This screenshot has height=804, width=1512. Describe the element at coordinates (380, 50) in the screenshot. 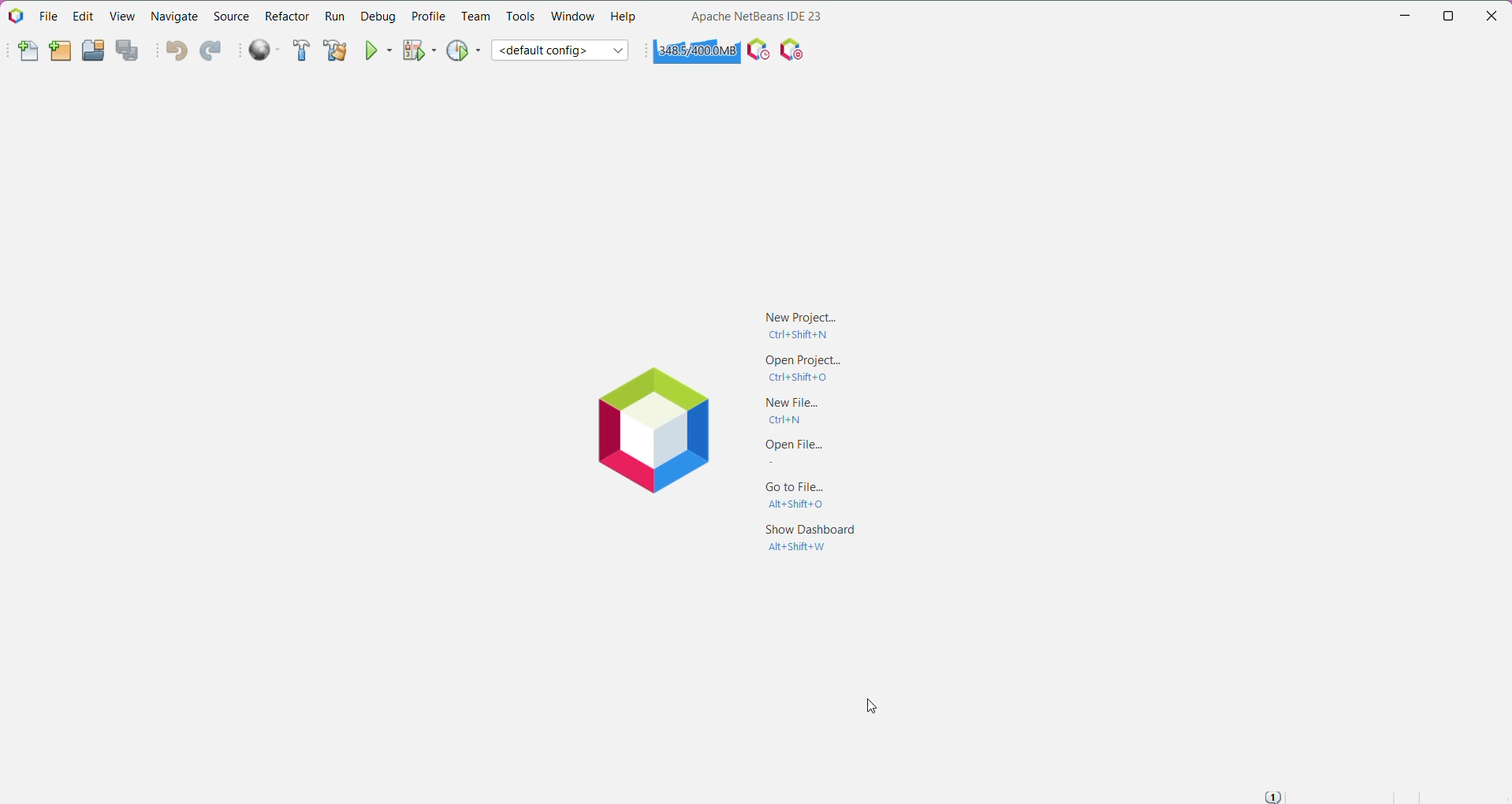

I see `Run Project` at that location.